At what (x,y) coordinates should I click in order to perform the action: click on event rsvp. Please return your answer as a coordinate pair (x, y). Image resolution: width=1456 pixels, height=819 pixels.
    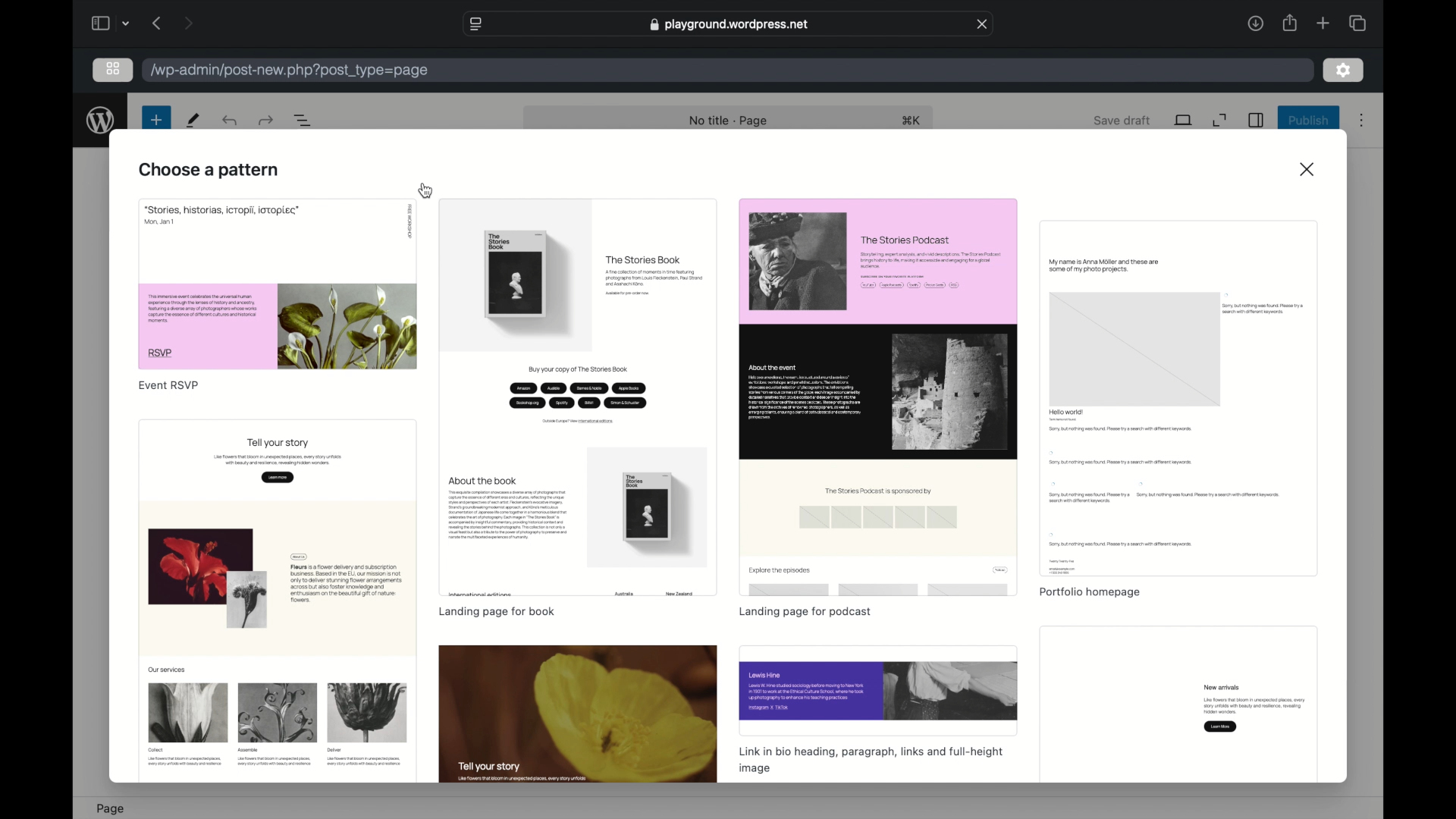
    Looking at the image, I should click on (168, 386).